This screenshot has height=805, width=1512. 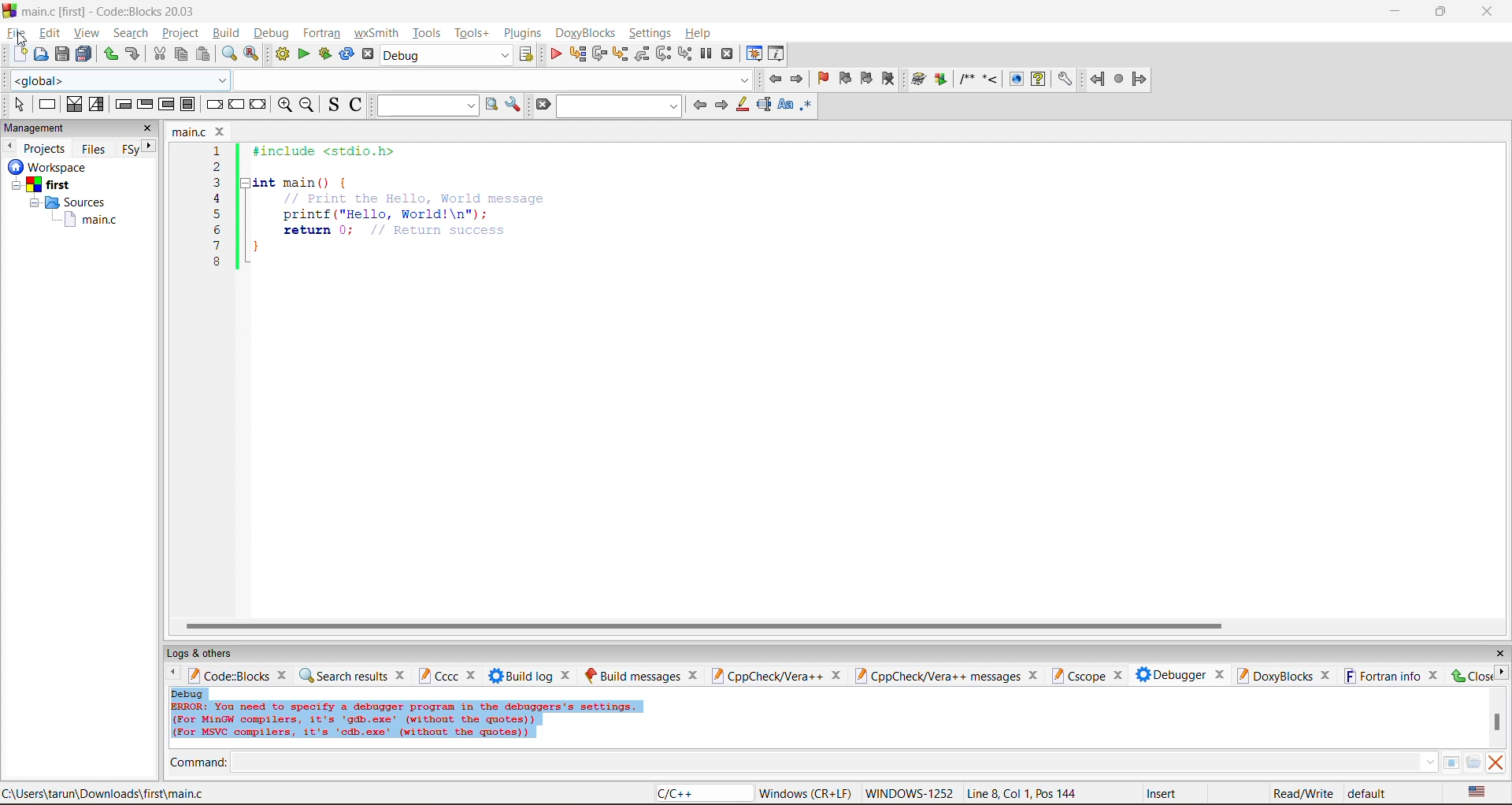 I want to click on forward, so click(x=1140, y=79).